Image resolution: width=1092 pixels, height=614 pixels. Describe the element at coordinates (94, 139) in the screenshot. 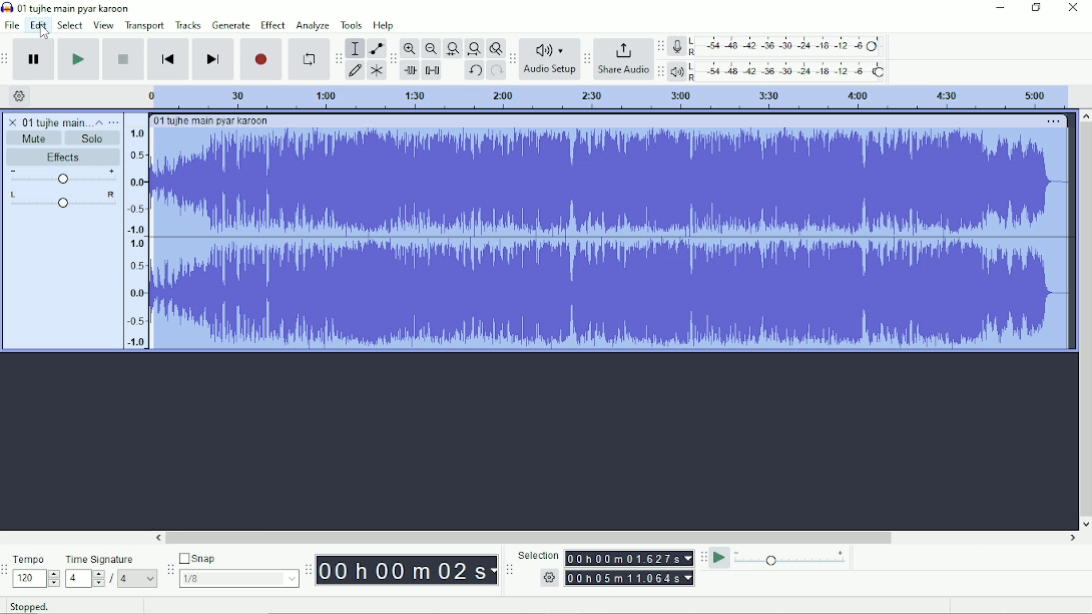

I see `Solo` at that location.